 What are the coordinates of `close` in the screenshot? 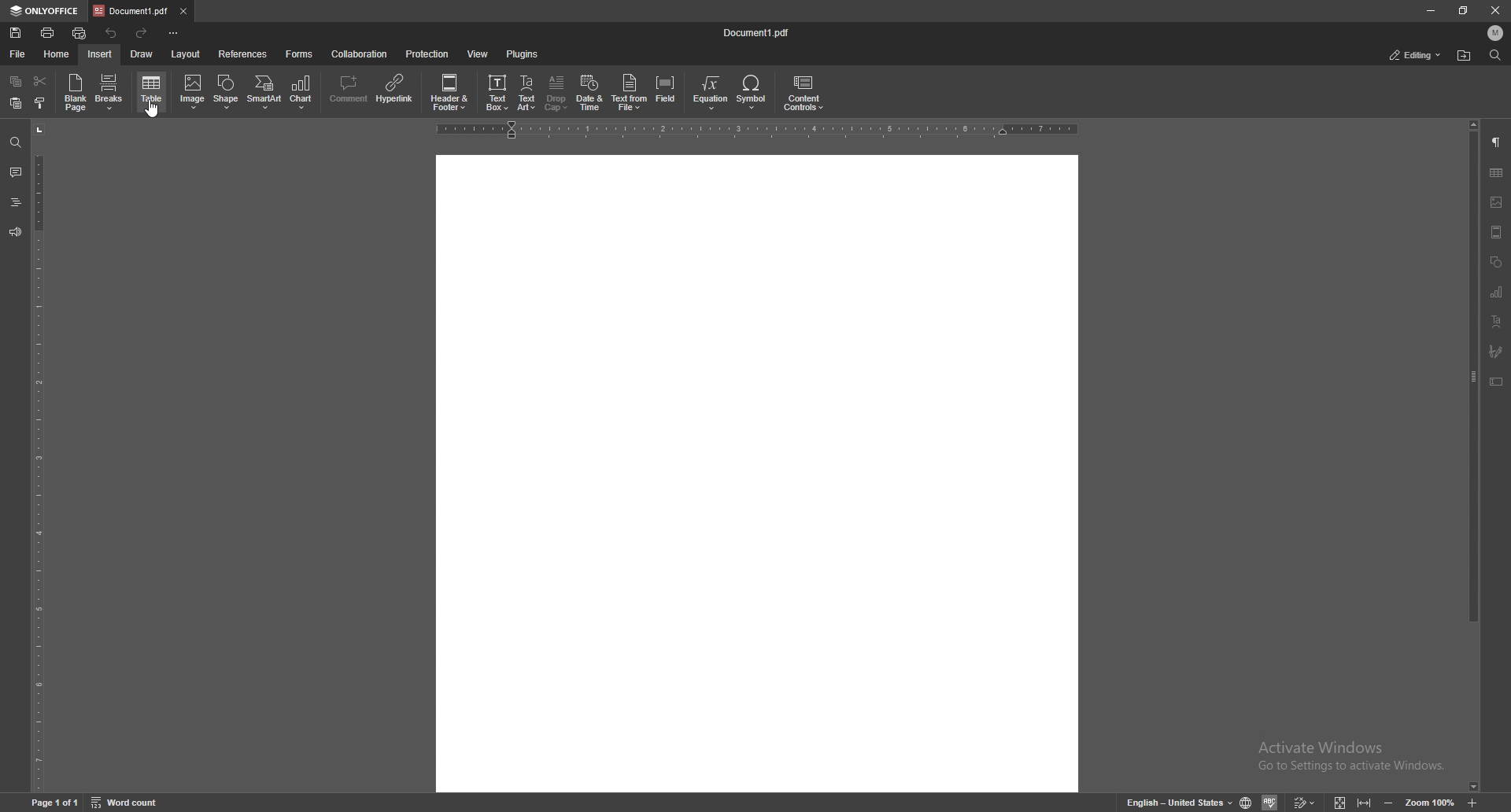 It's located at (1495, 10).